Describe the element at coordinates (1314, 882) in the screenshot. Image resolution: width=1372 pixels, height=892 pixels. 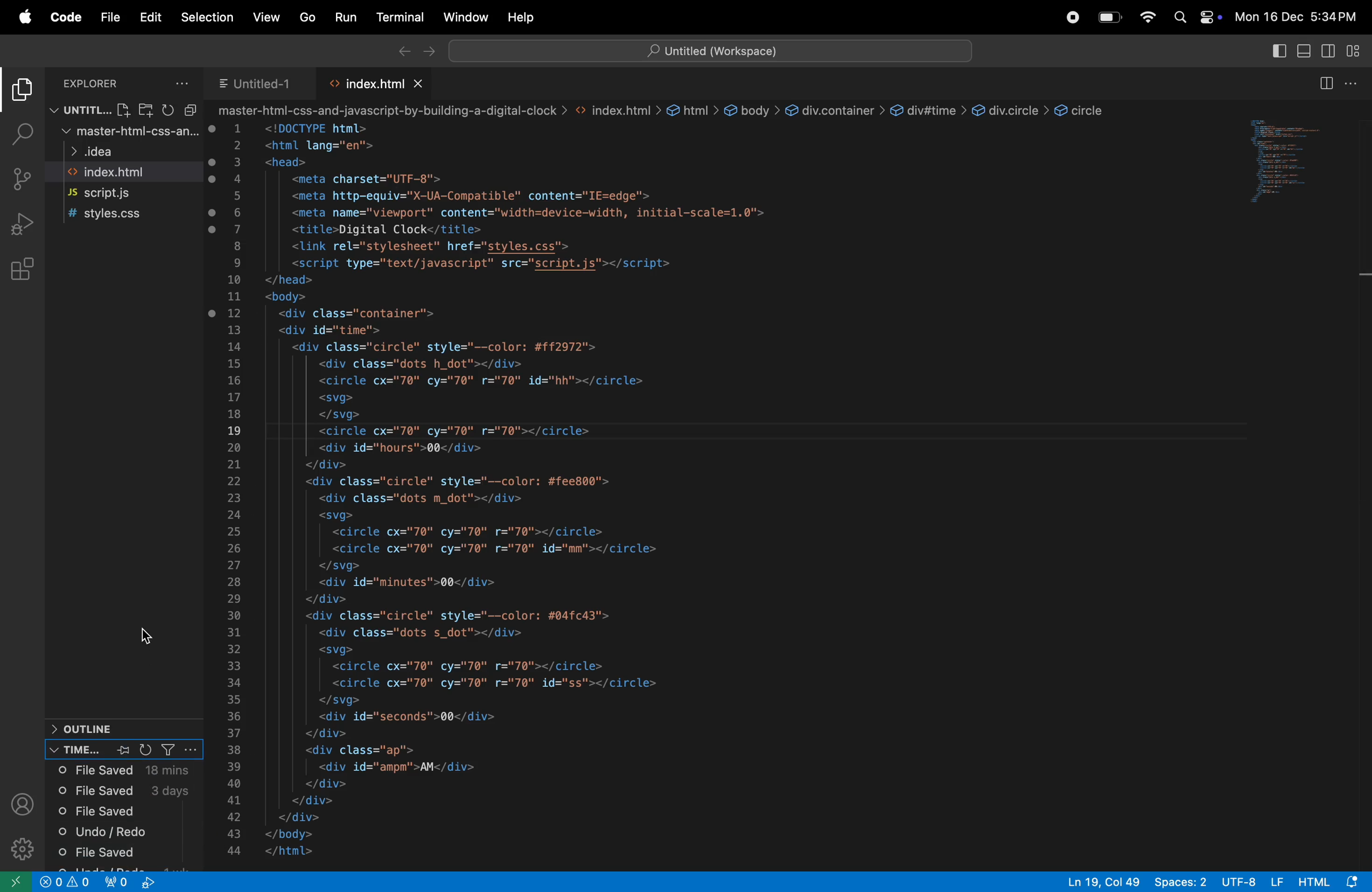
I see `html` at that location.